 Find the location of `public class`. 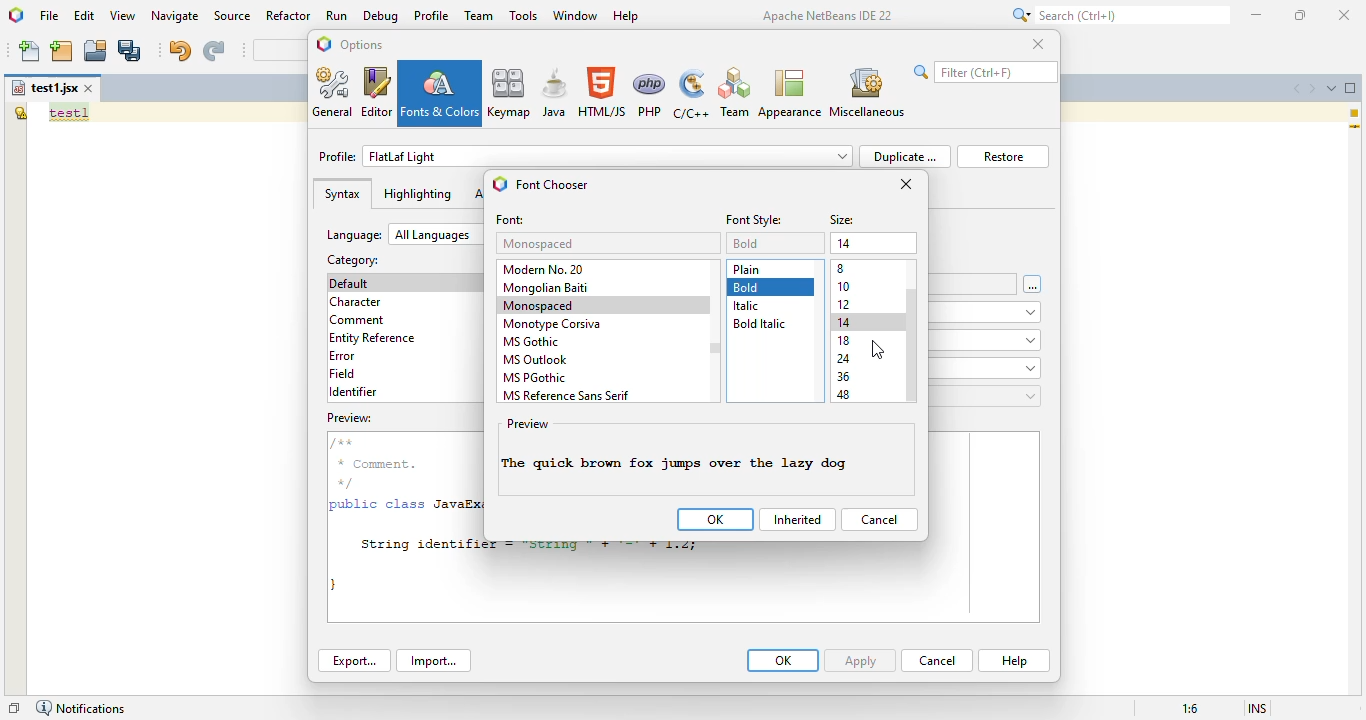

public class is located at coordinates (379, 507).